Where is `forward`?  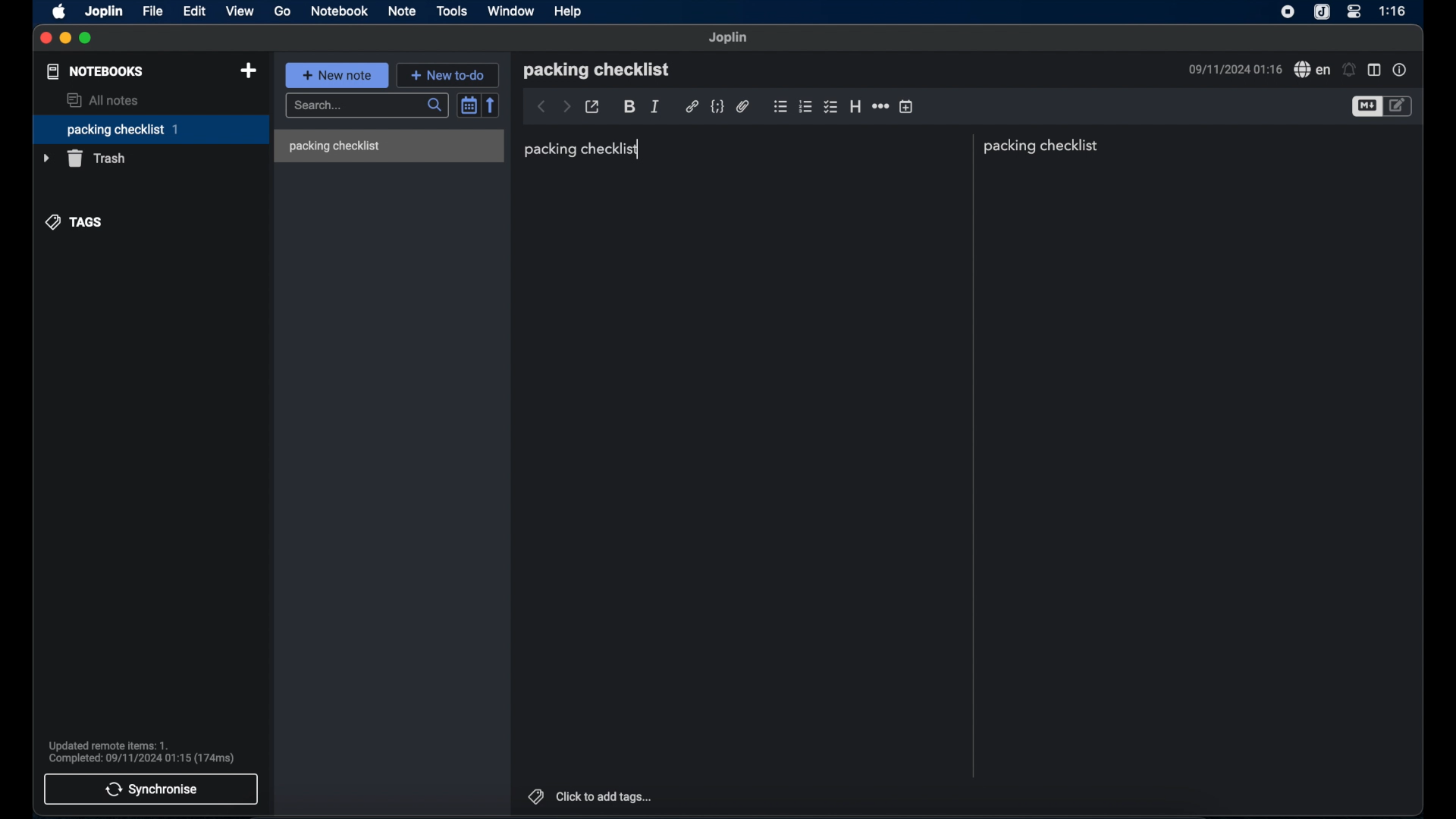 forward is located at coordinates (566, 106).